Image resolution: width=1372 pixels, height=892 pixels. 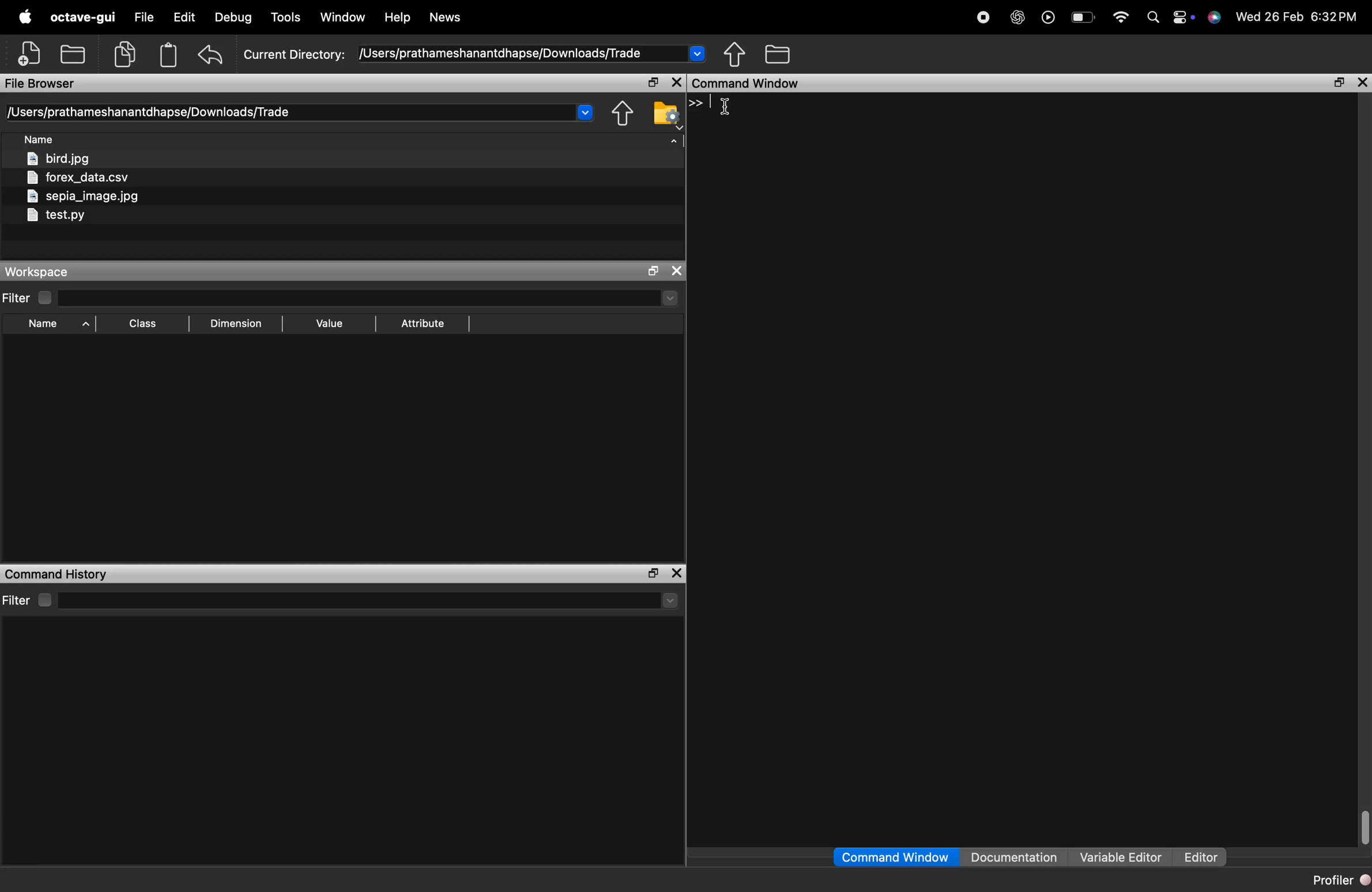 I want to click on battery, so click(x=1084, y=19).